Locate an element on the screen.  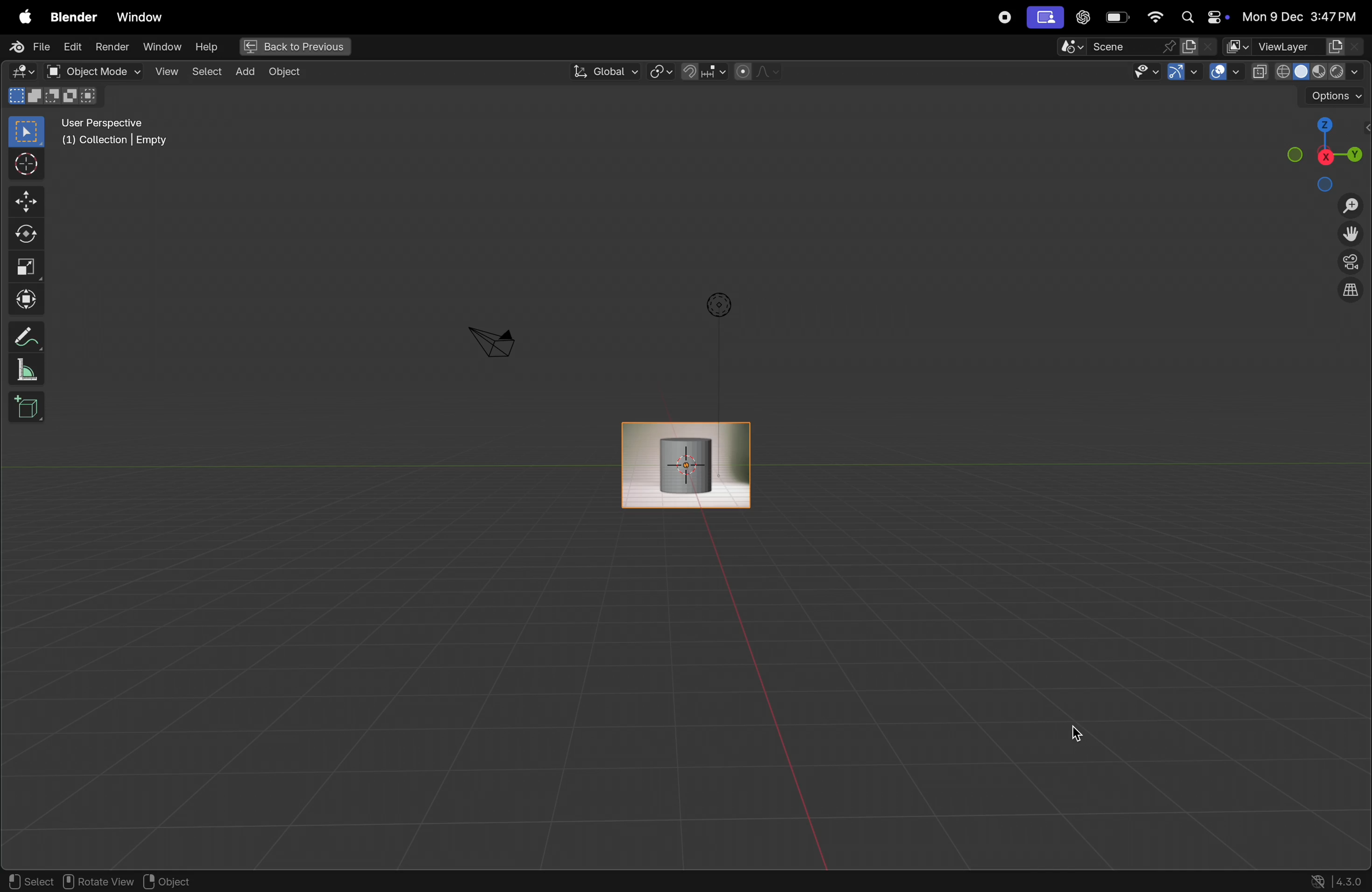
cursor is located at coordinates (1080, 732).